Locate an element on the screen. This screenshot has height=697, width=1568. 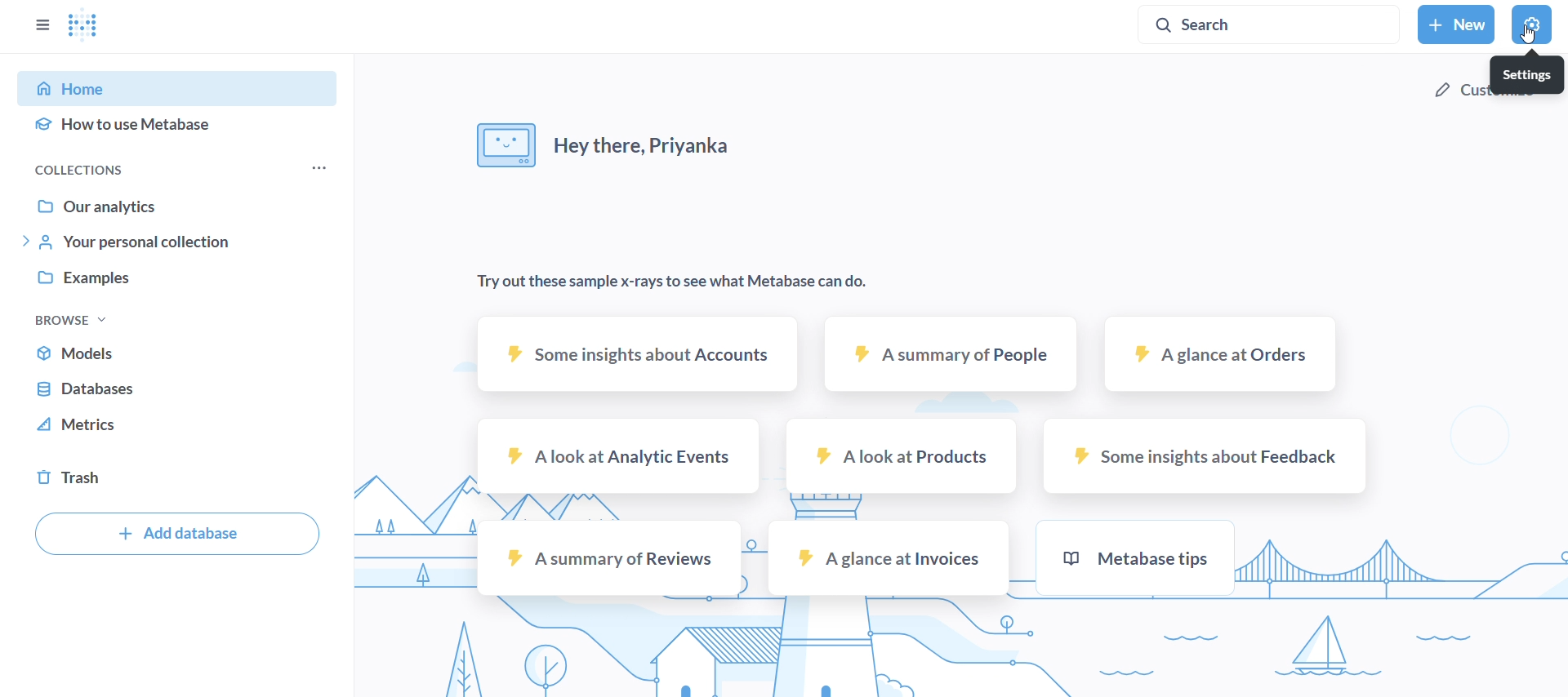
collections is located at coordinates (103, 171).